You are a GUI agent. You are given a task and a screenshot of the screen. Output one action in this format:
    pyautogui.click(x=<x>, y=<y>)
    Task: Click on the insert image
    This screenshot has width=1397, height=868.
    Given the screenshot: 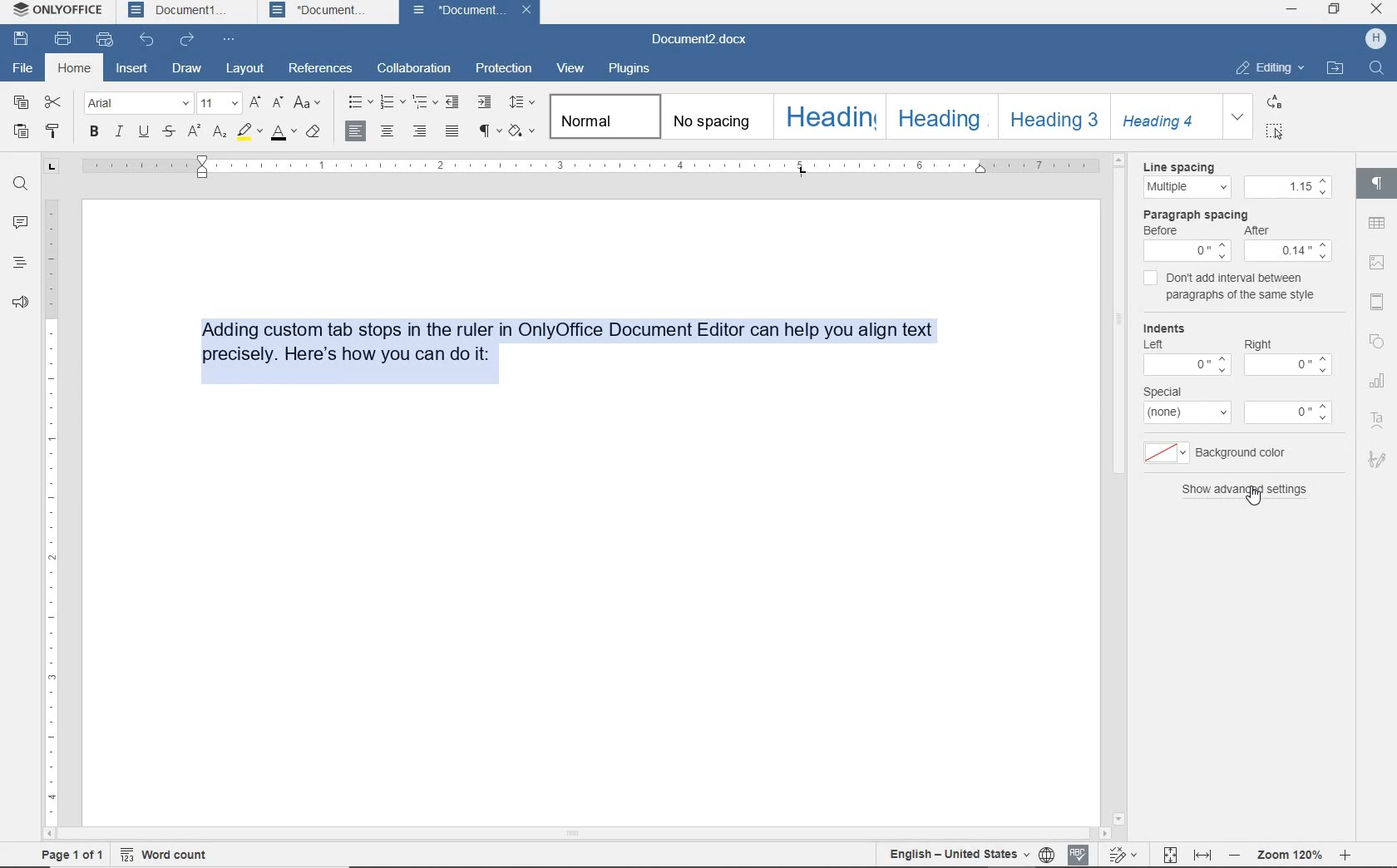 What is the action you would take?
    pyautogui.click(x=1376, y=264)
    